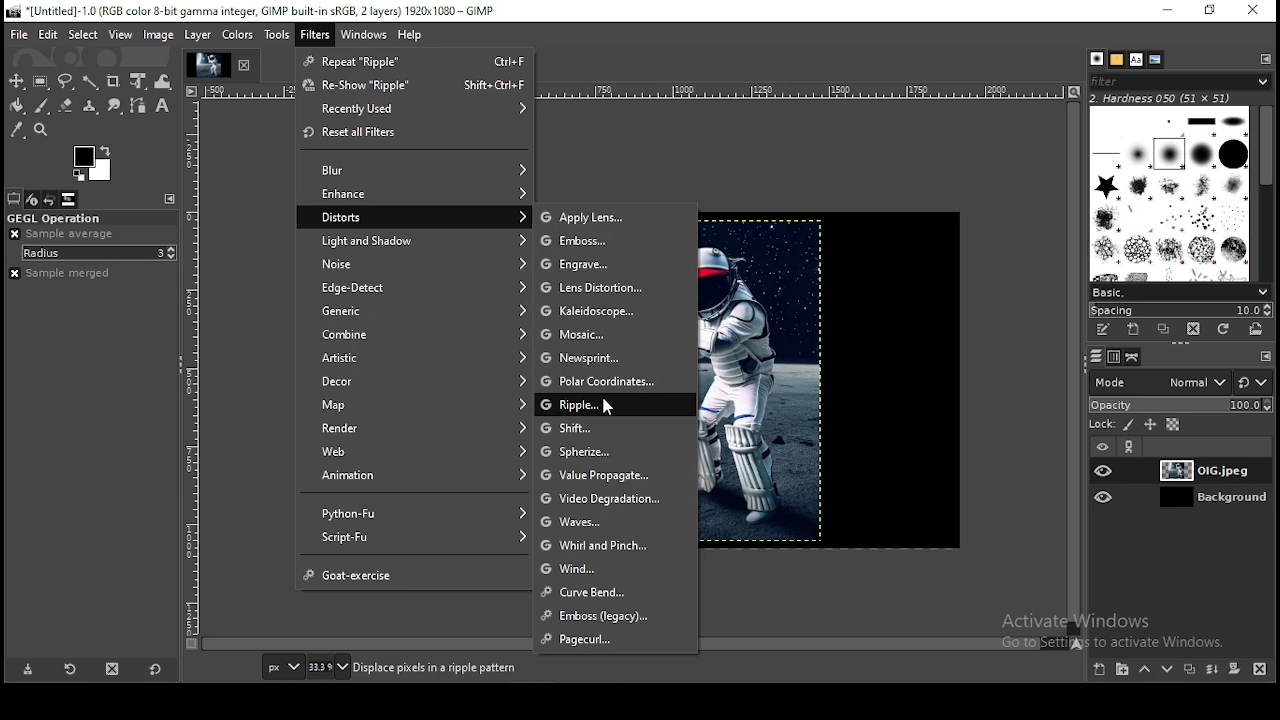 Image resolution: width=1280 pixels, height=720 pixels. Describe the element at coordinates (140, 80) in the screenshot. I see `unified transform tool` at that location.